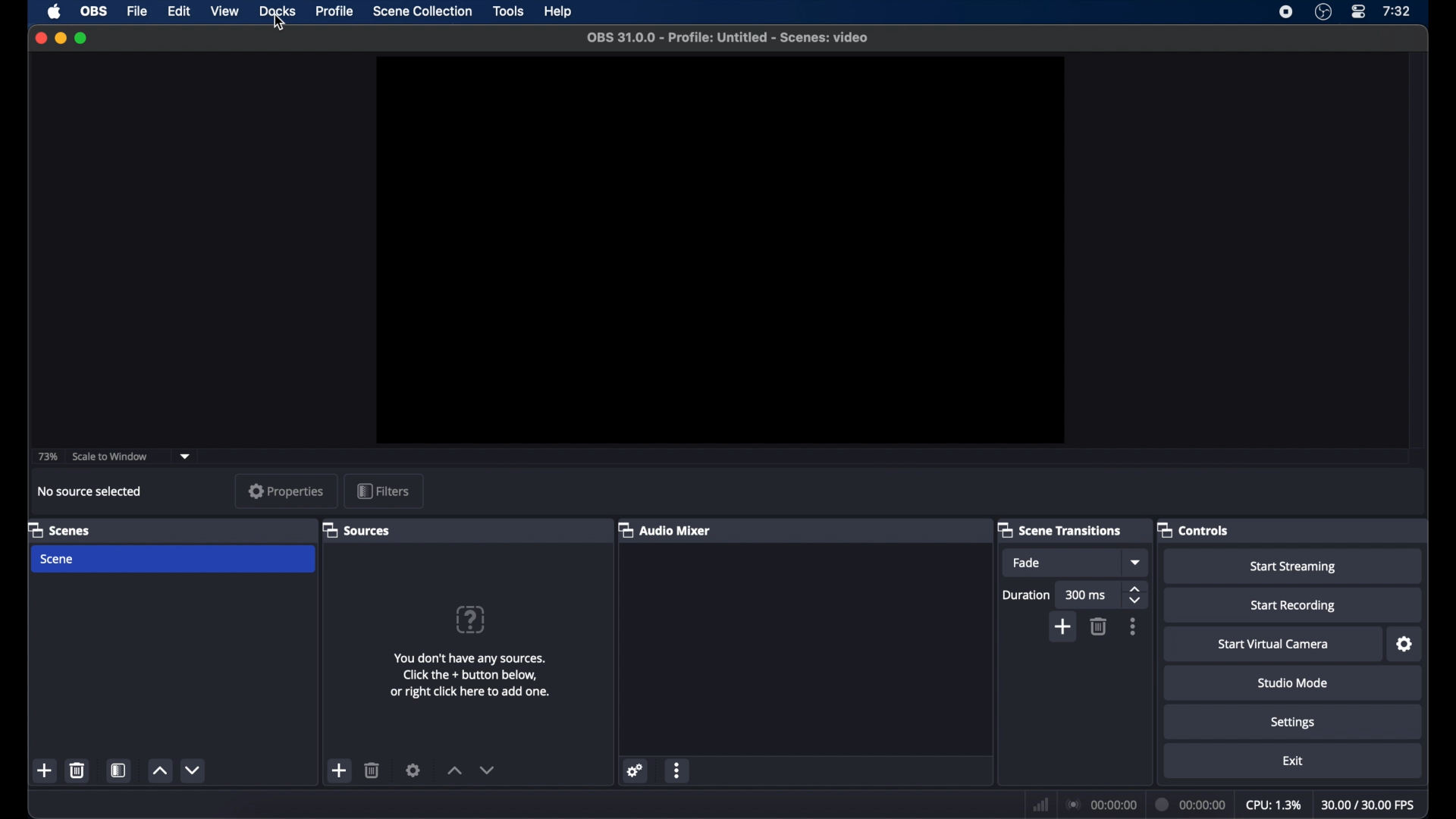 This screenshot has height=819, width=1456. I want to click on duration, so click(1025, 595).